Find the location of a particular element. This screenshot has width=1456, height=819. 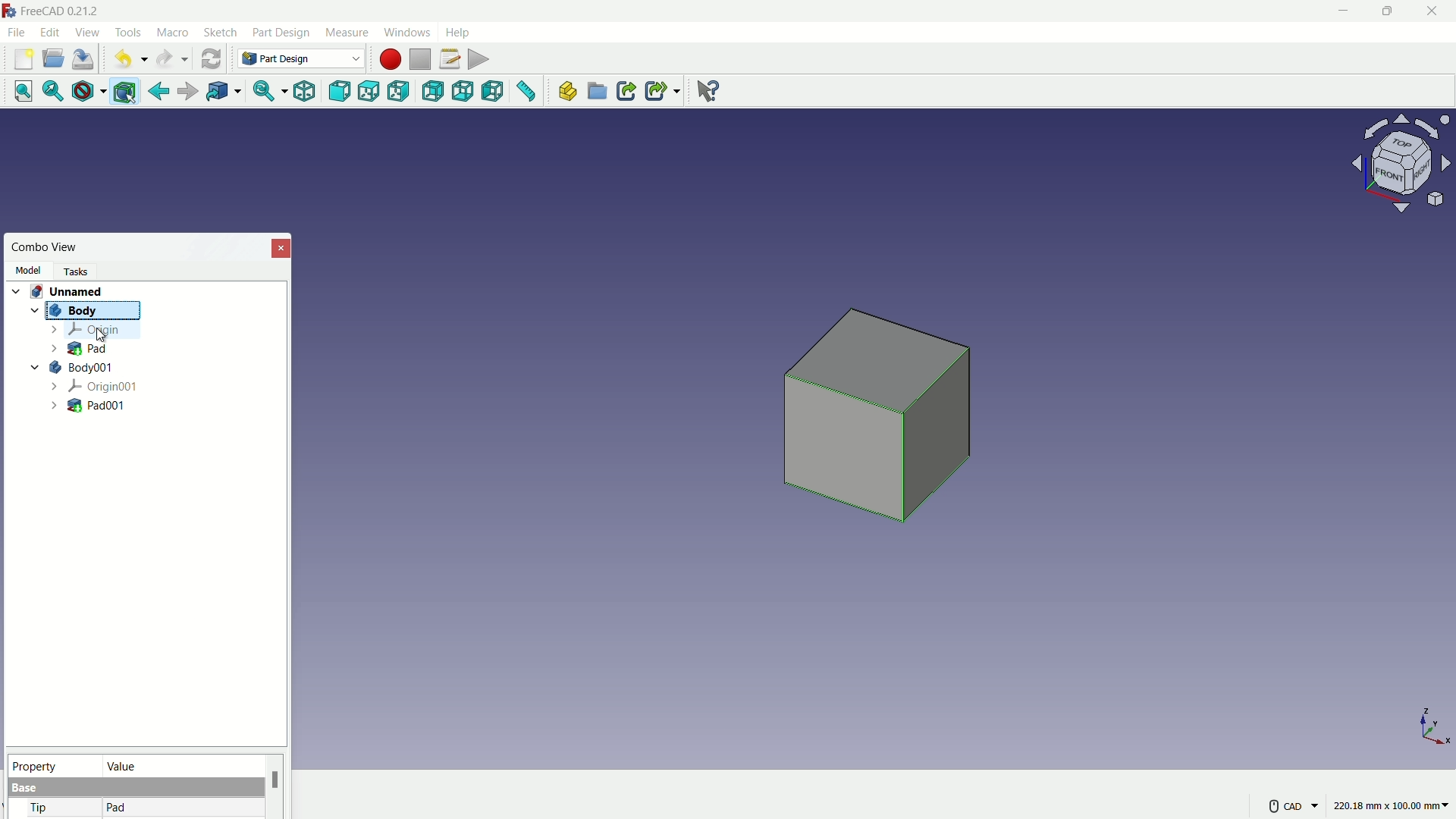

sketch is located at coordinates (221, 33).